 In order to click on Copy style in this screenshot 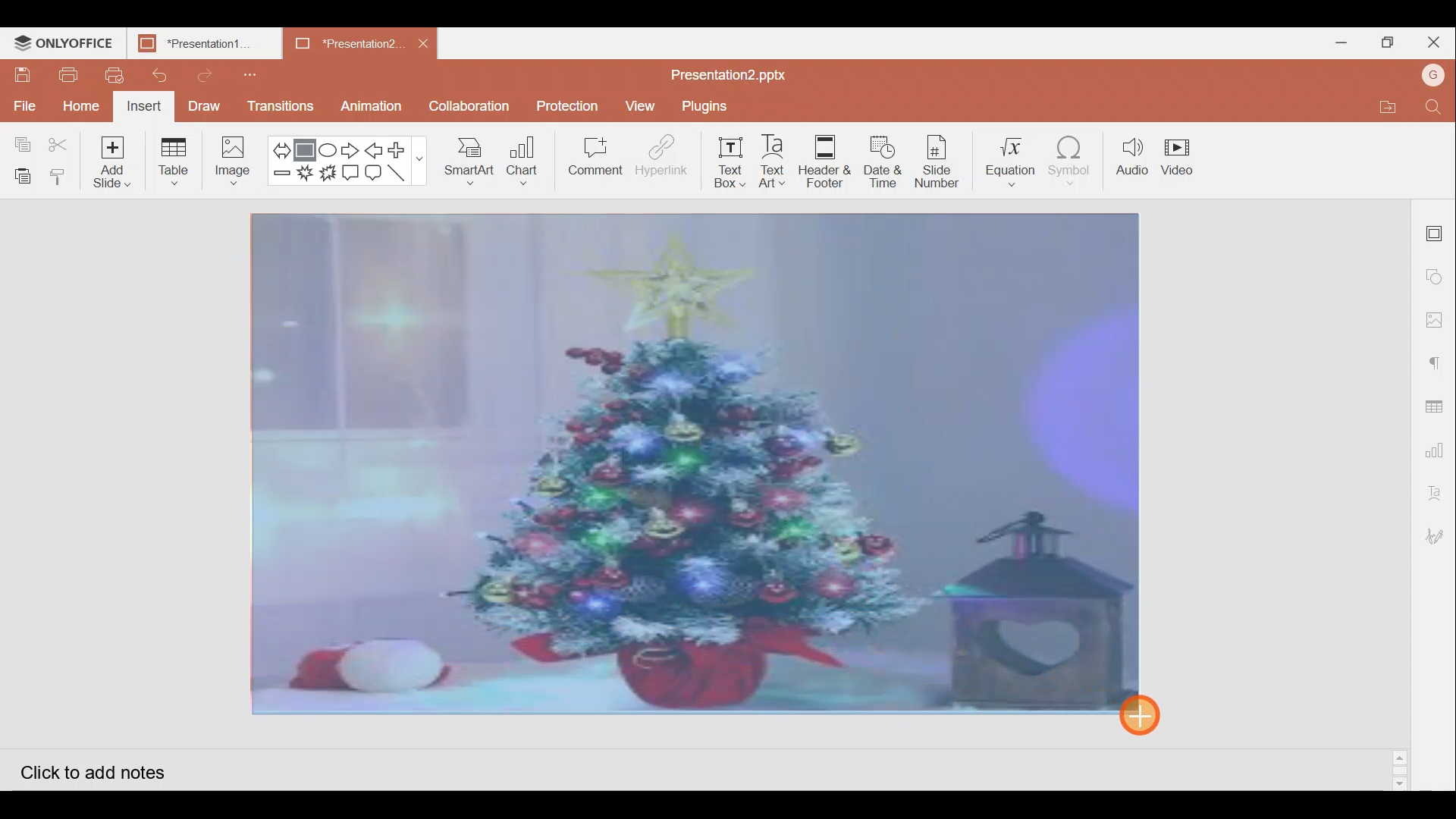, I will do `click(61, 176)`.